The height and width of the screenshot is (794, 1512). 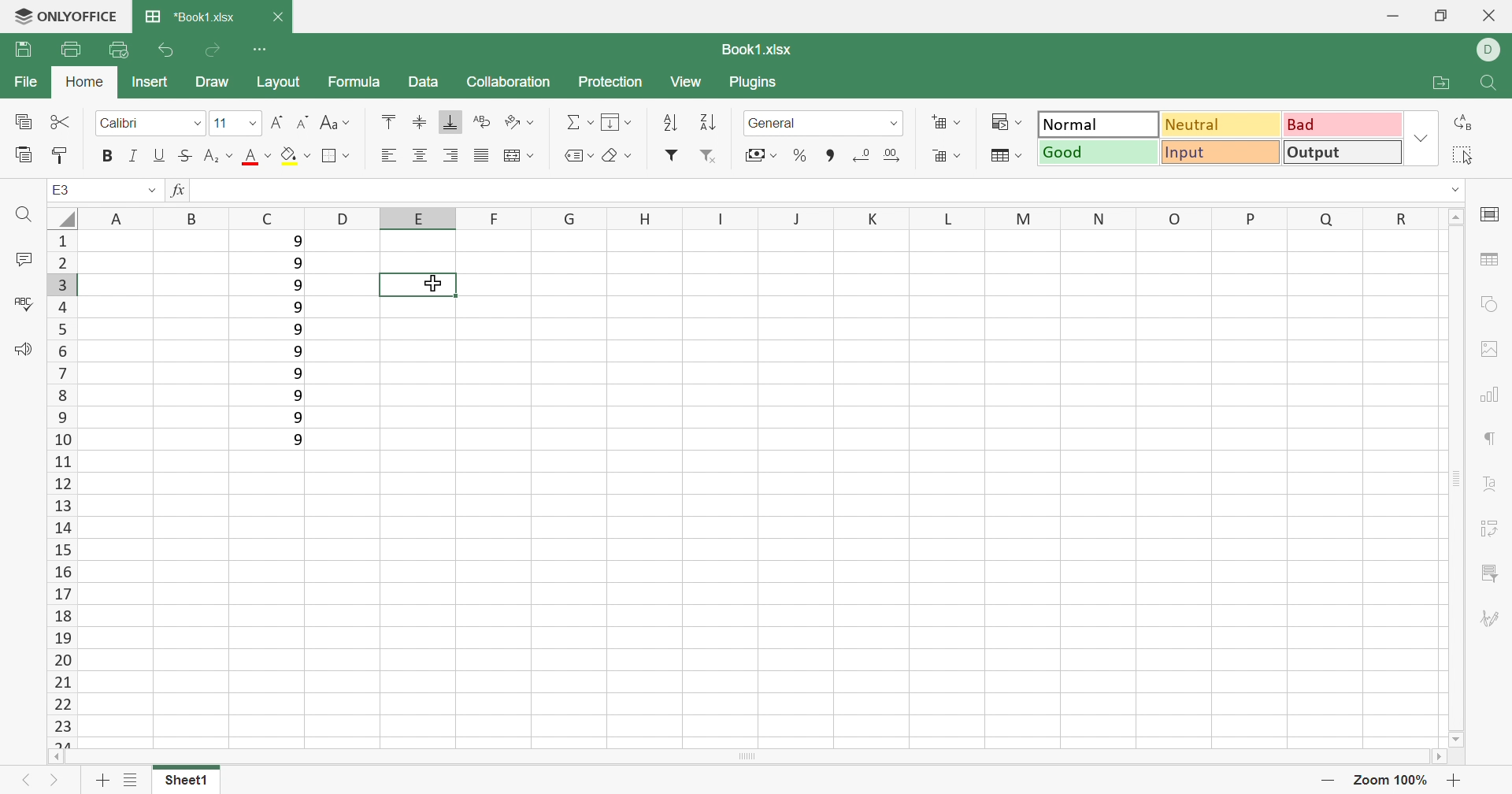 What do you see at coordinates (296, 240) in the screenshot?
I see `9` at bounding box center [296, 240].